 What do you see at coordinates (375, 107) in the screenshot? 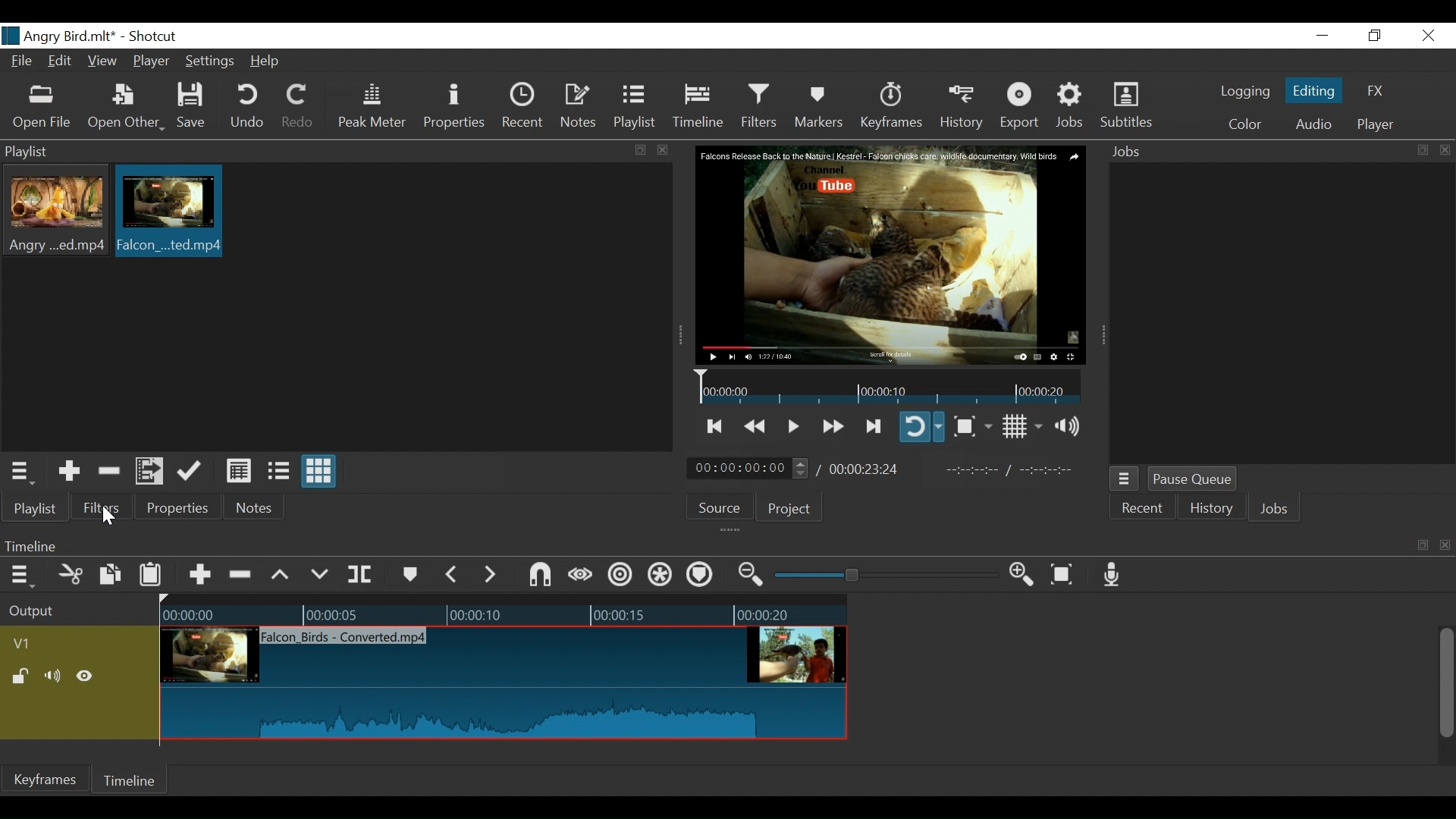
I see `Peak Meter` at bounding box center [375, 107].